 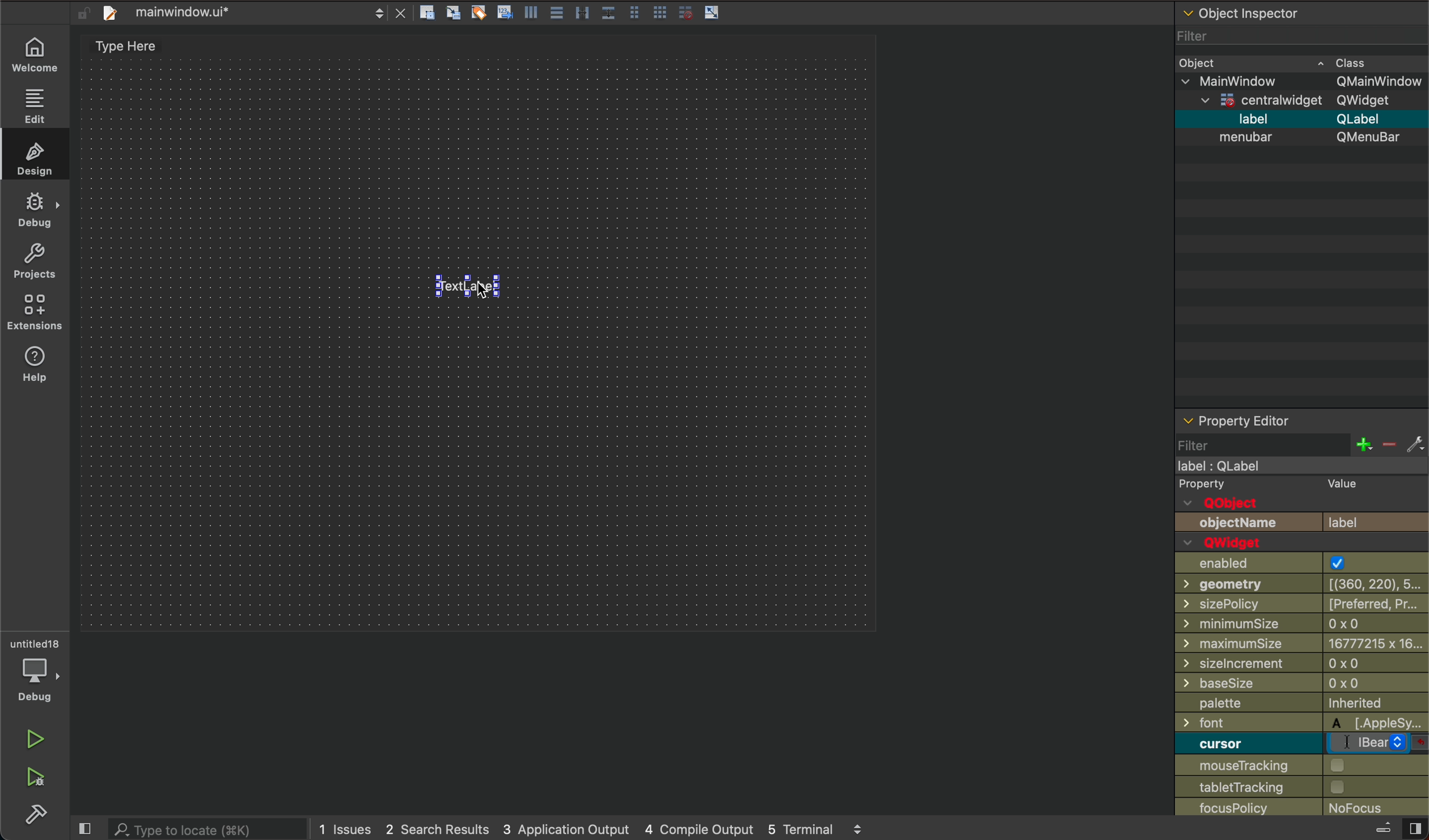 What do you see at coordinates (1238, 787) in the screenshot?
I see `tabletTracking` at bounding box center [1238, 787].